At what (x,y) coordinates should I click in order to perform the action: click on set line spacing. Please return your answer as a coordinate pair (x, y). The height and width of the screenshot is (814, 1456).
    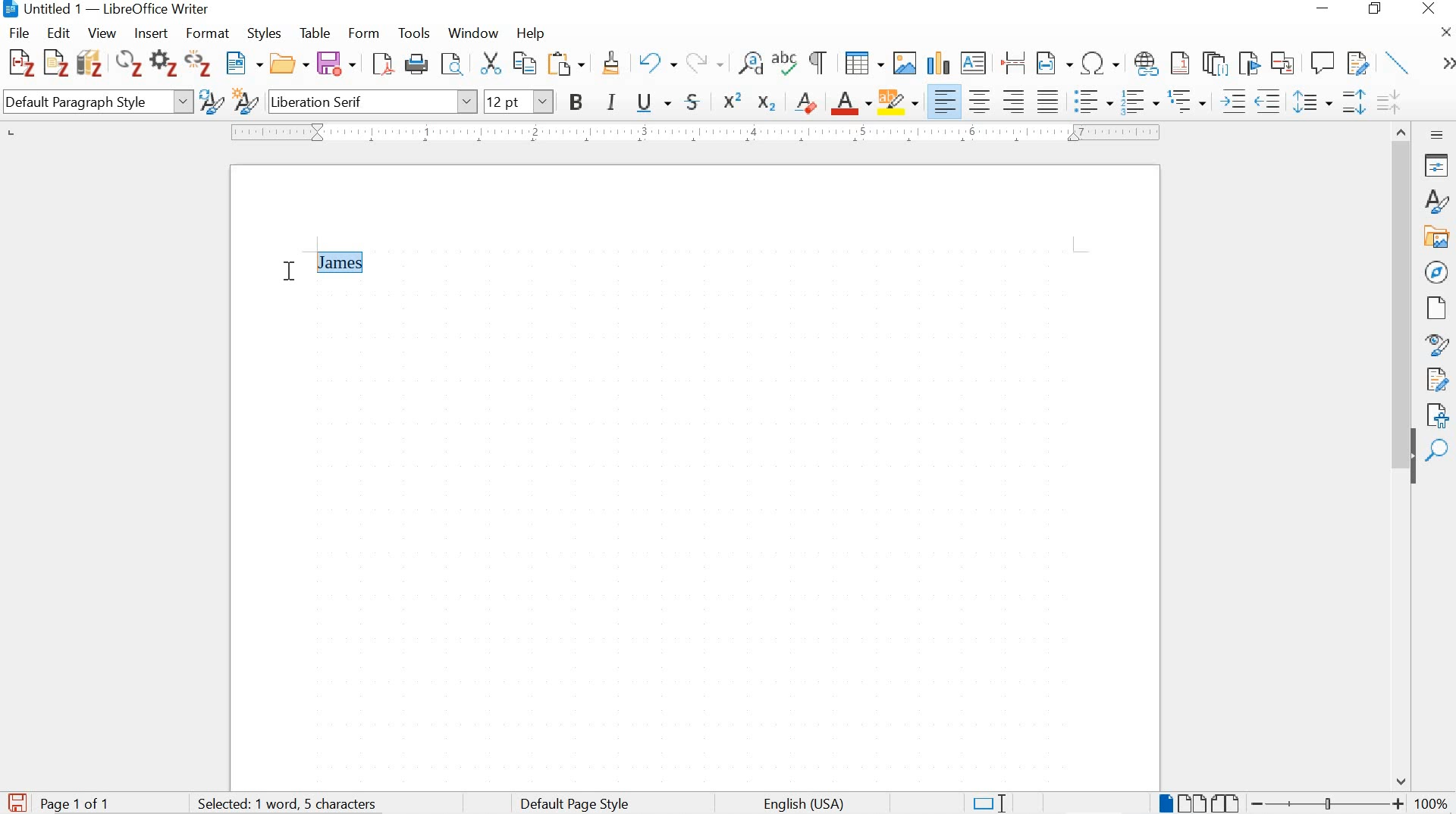
    Looking at the image, I should click on (1311, 102).